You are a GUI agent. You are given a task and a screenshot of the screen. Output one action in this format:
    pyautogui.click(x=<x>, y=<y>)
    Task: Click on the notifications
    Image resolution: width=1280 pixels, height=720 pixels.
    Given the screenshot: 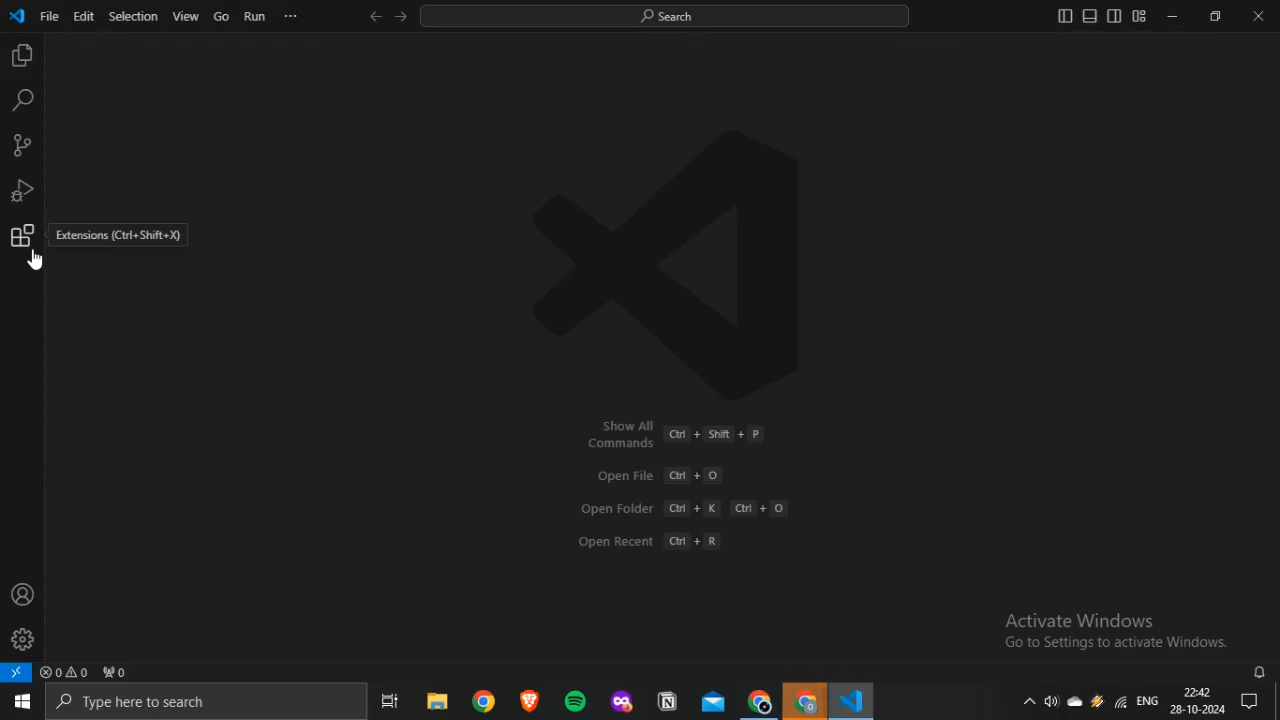 What is the action you would take?
    pyautogui.click(x=1261, y=672)
    